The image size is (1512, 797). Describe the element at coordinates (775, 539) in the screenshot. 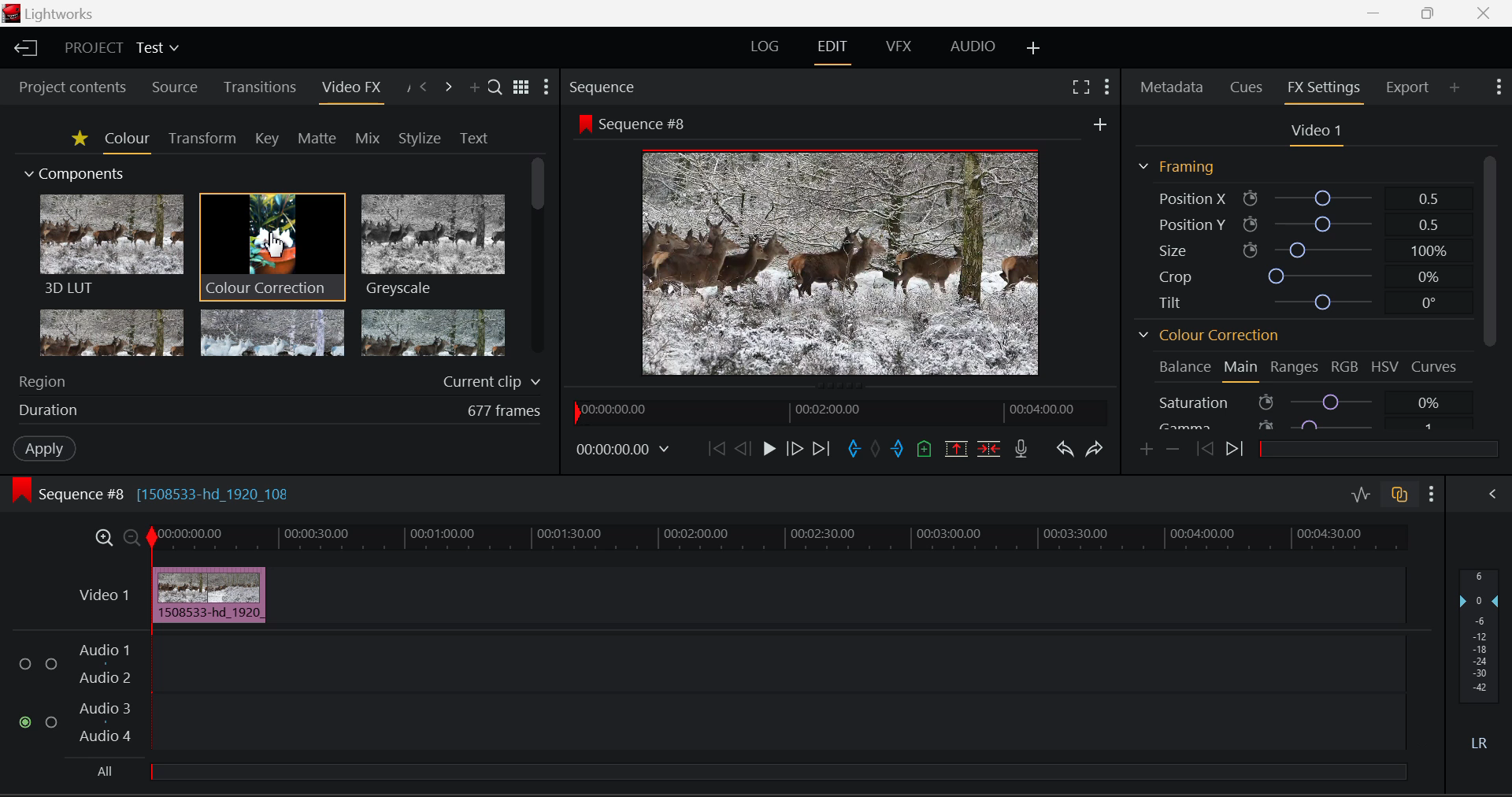

I see `Project Timeline` at that location.